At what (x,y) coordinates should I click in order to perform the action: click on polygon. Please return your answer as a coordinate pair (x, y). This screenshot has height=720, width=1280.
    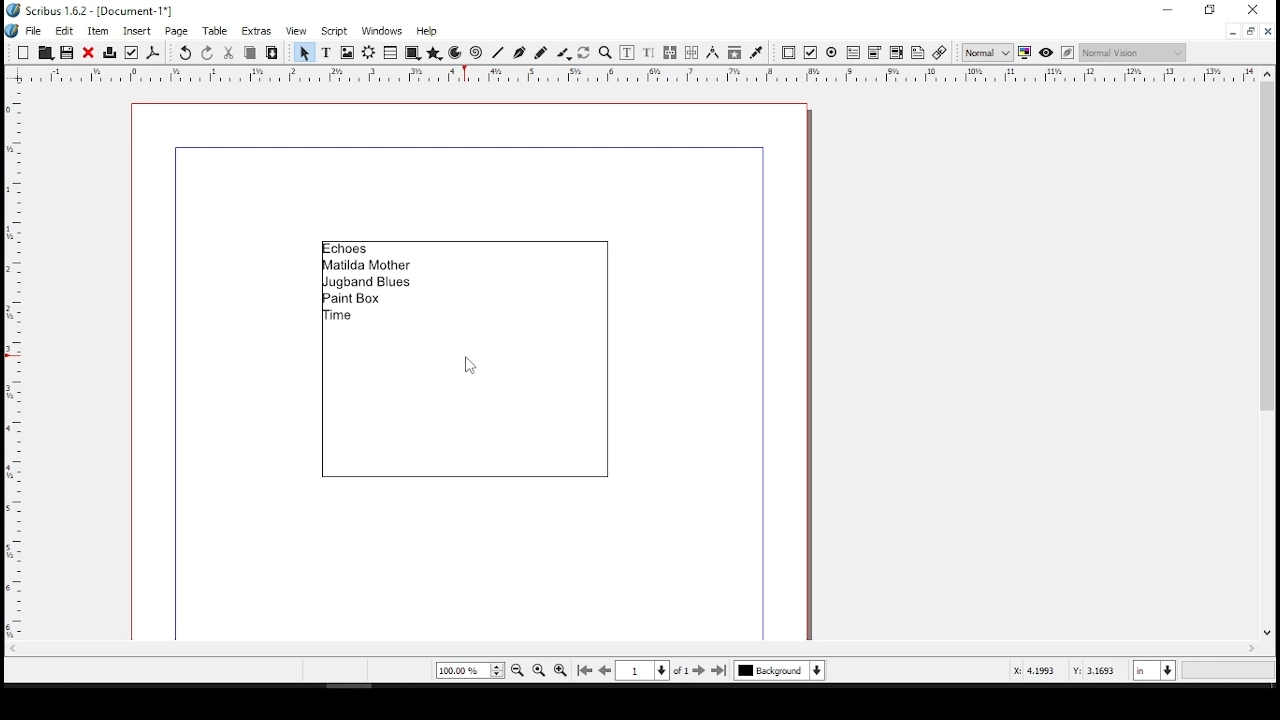
    Looking at the image, I should click on (435, 54).